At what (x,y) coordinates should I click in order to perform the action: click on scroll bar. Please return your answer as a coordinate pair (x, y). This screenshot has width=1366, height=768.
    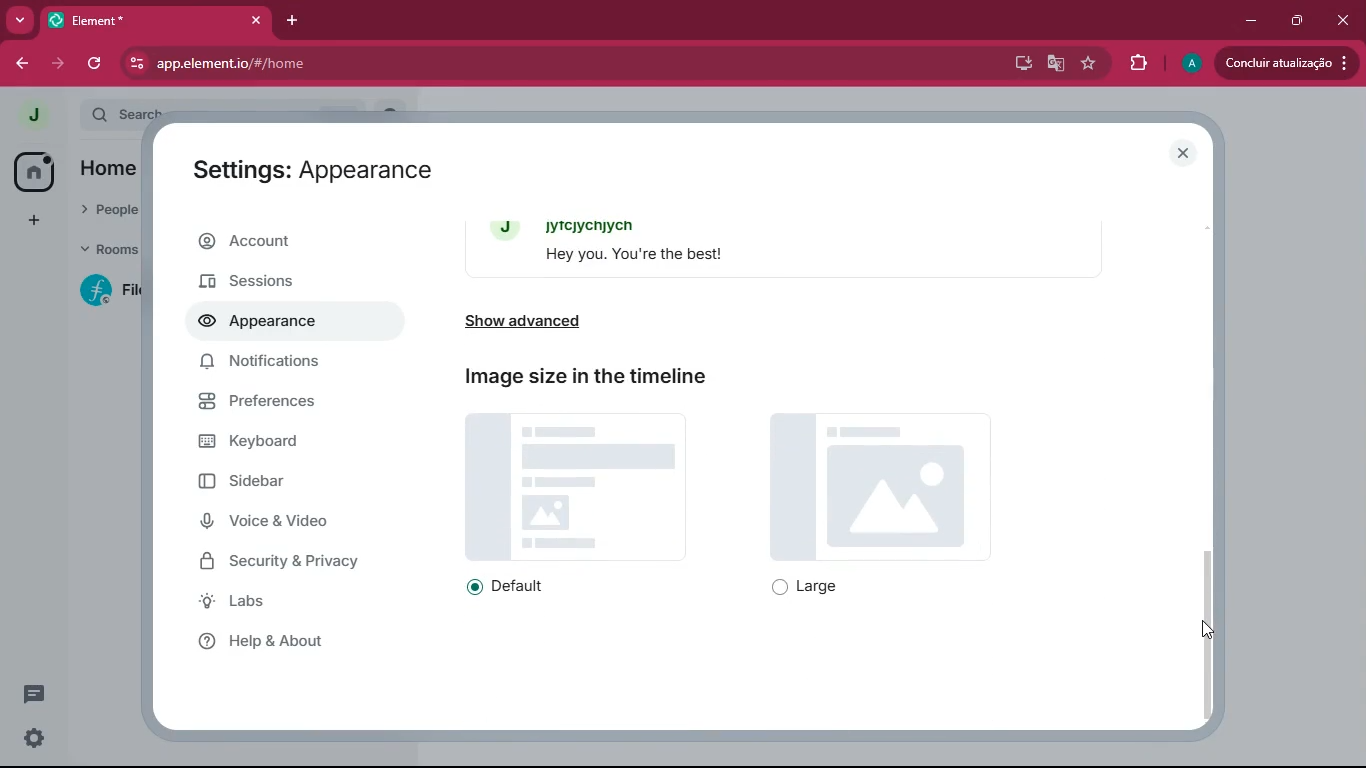
    Looking at the image, I should click on (1209, 623).